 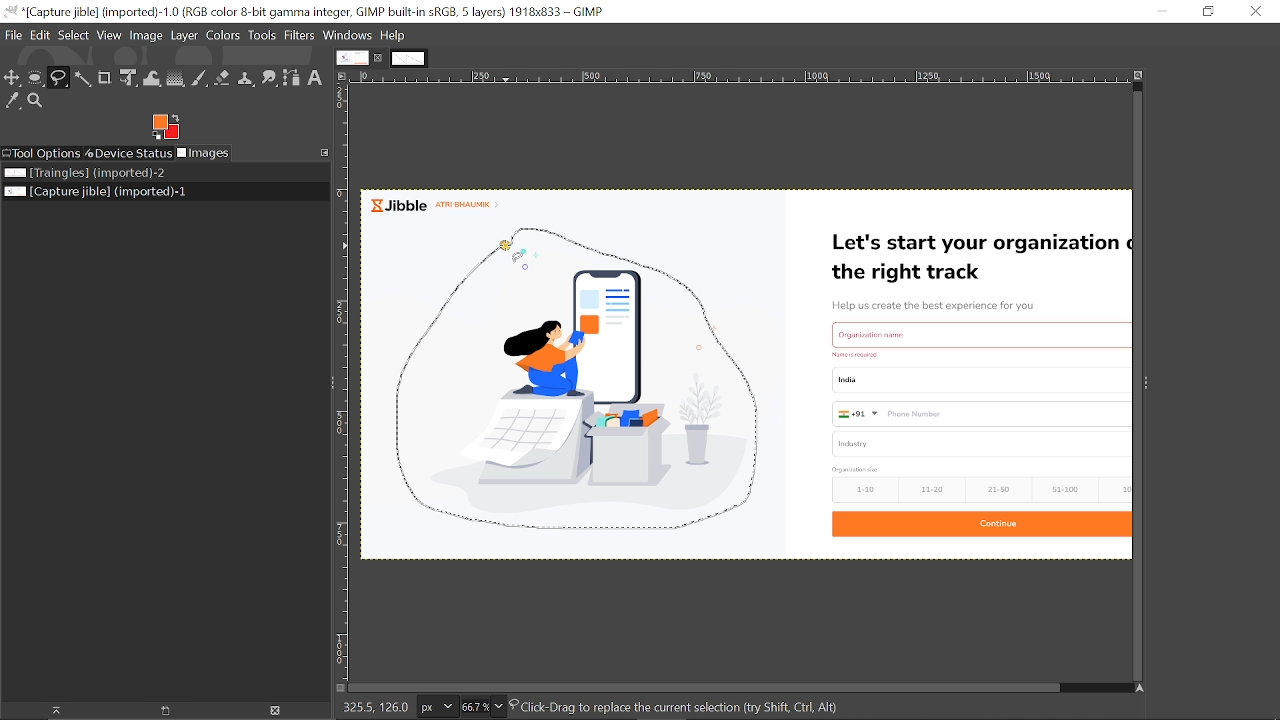 What do you see at coordinates (36, 79) in the screenshot?
I see `Ellipse select tool` at bounding box center [36, 79].